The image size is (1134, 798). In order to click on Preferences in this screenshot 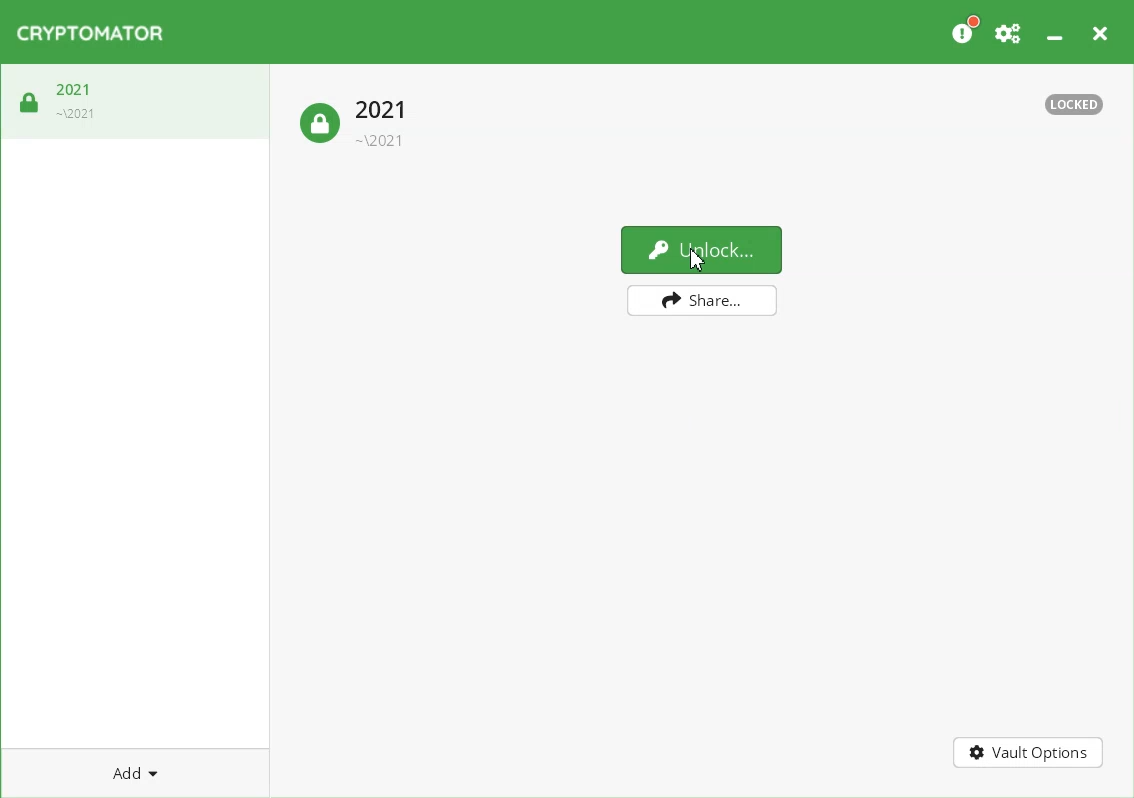, I will do `click(1009, 30)`.